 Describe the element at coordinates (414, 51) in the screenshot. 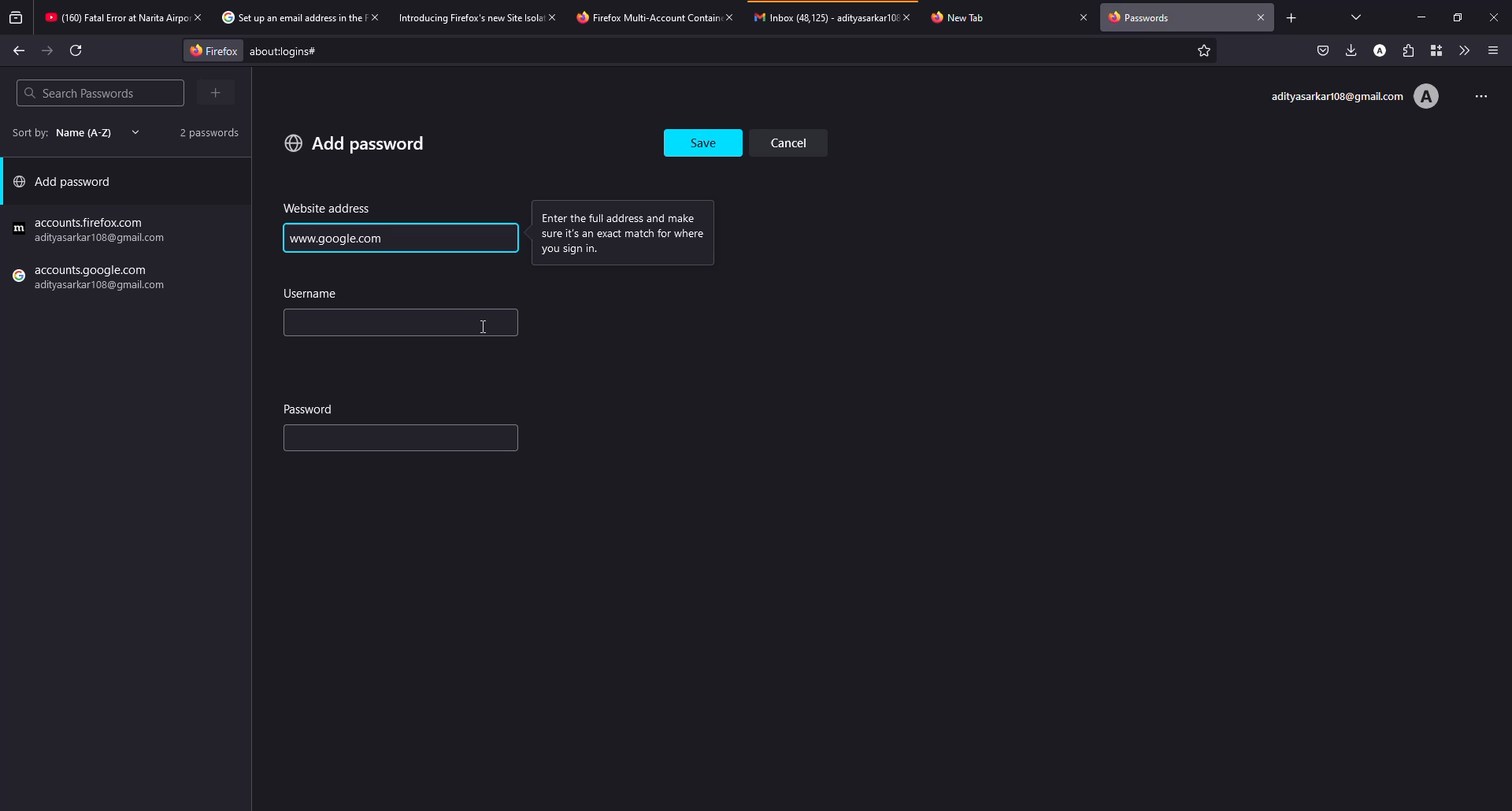

I see `about` at that location.